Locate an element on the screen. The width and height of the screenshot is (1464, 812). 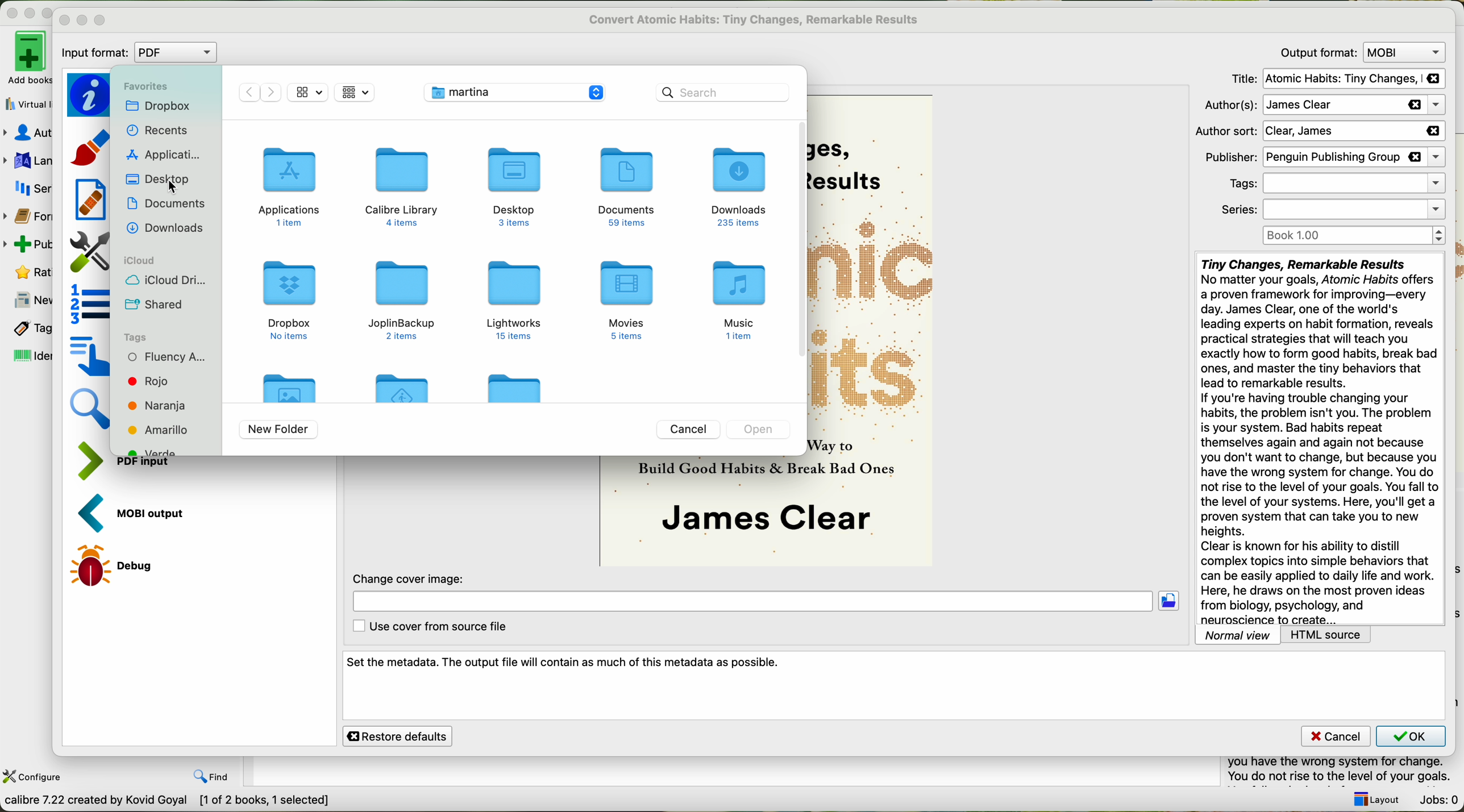
data is located at coordinates (168, 802).